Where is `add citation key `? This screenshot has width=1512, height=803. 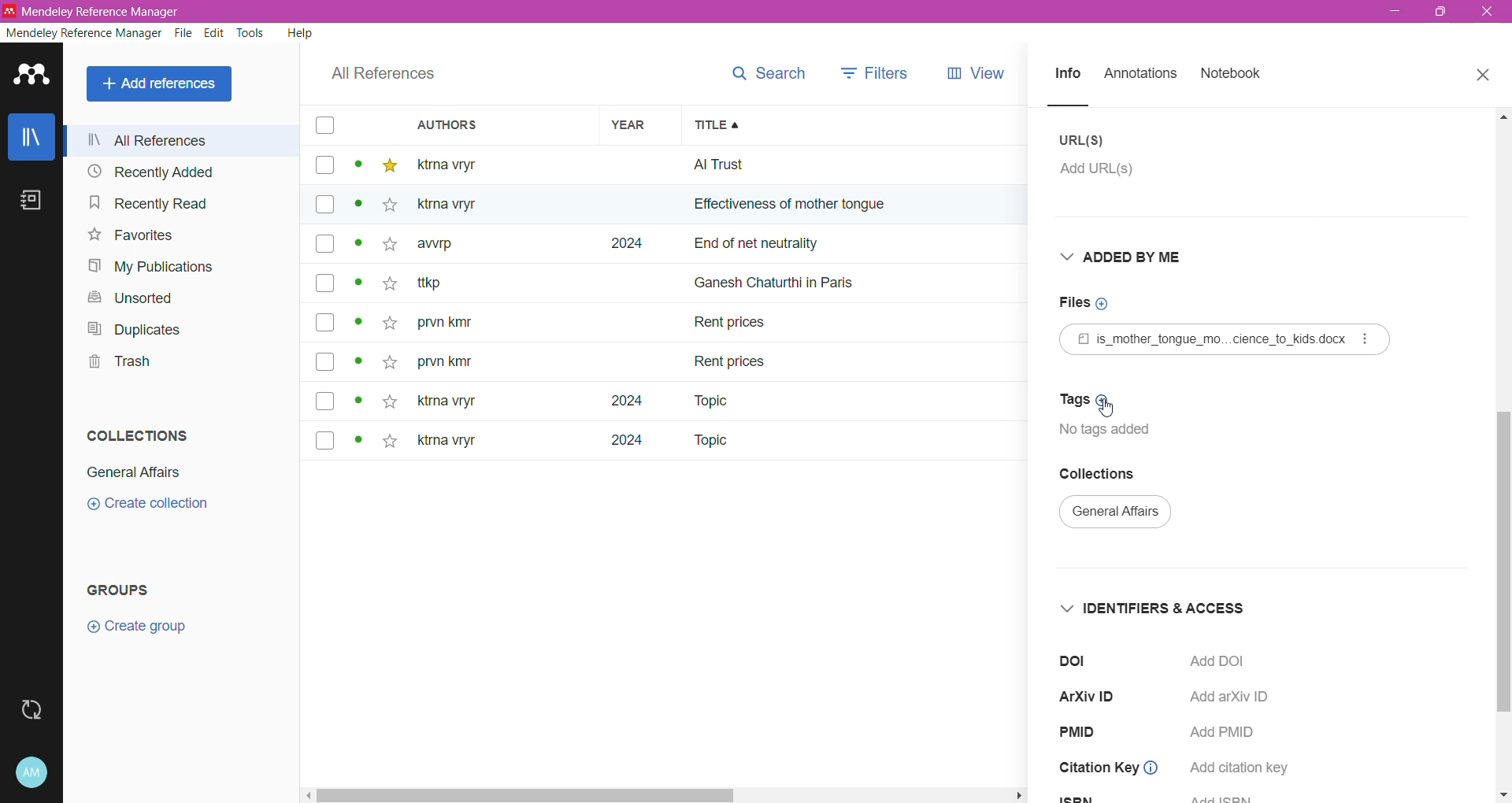 add citation key  is located at coordinates (1241, 768).